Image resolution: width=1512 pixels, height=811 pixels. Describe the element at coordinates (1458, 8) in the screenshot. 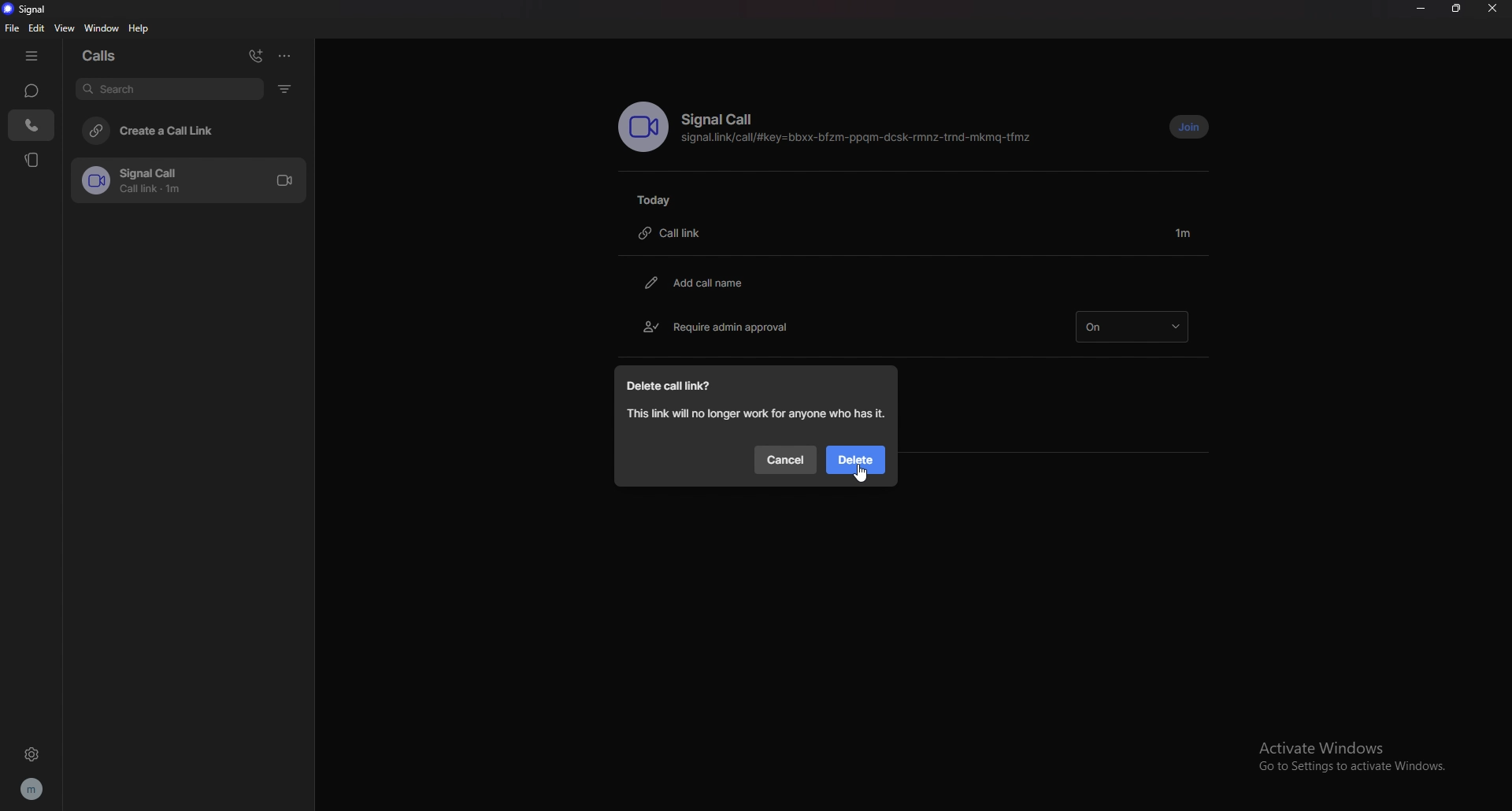

I see `resize` at that location.